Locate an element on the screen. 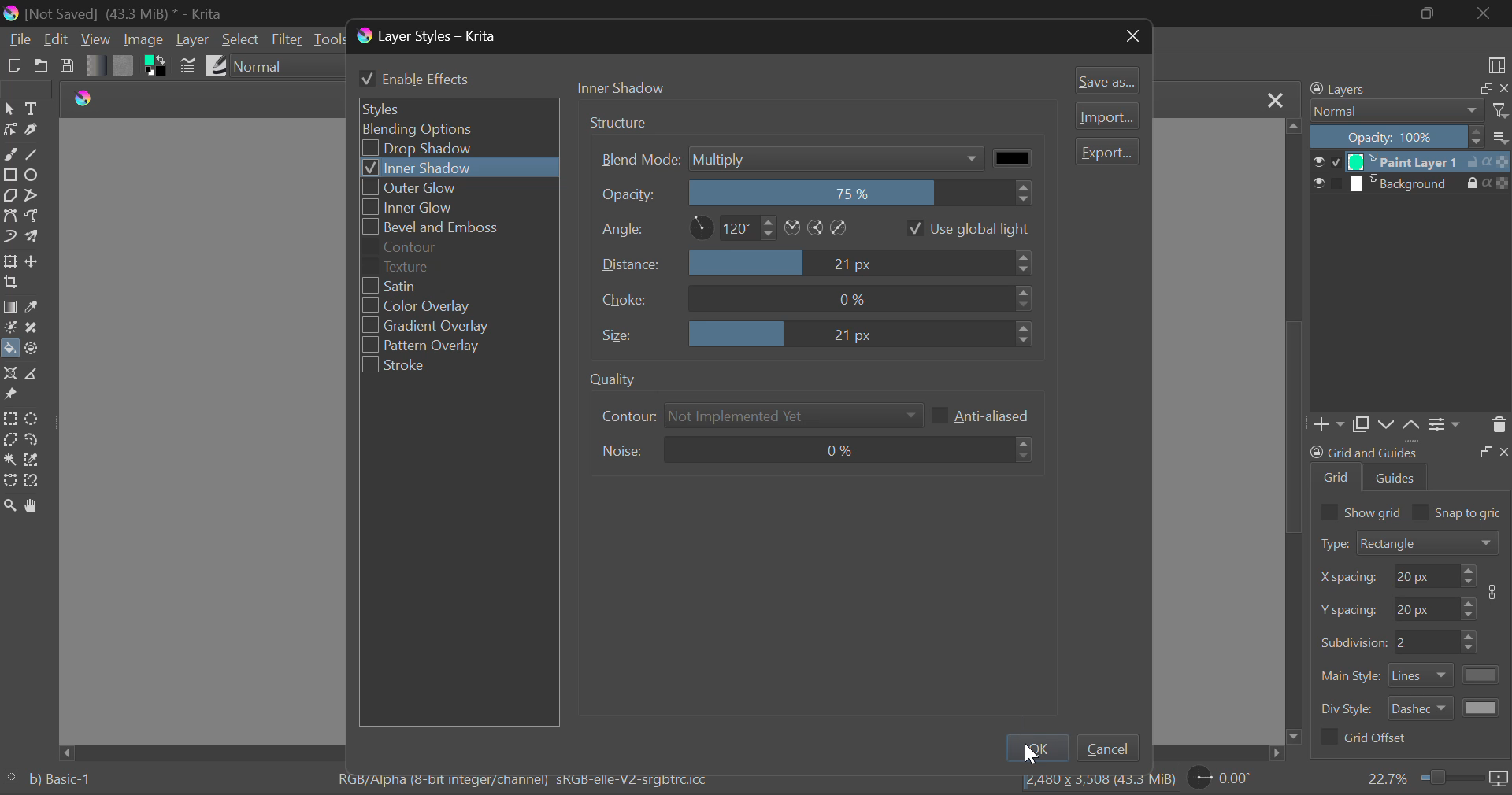 The width and height of the screenshot is (1512, 795). Grid Characteristic Input is located at coordinates (1413, 643).